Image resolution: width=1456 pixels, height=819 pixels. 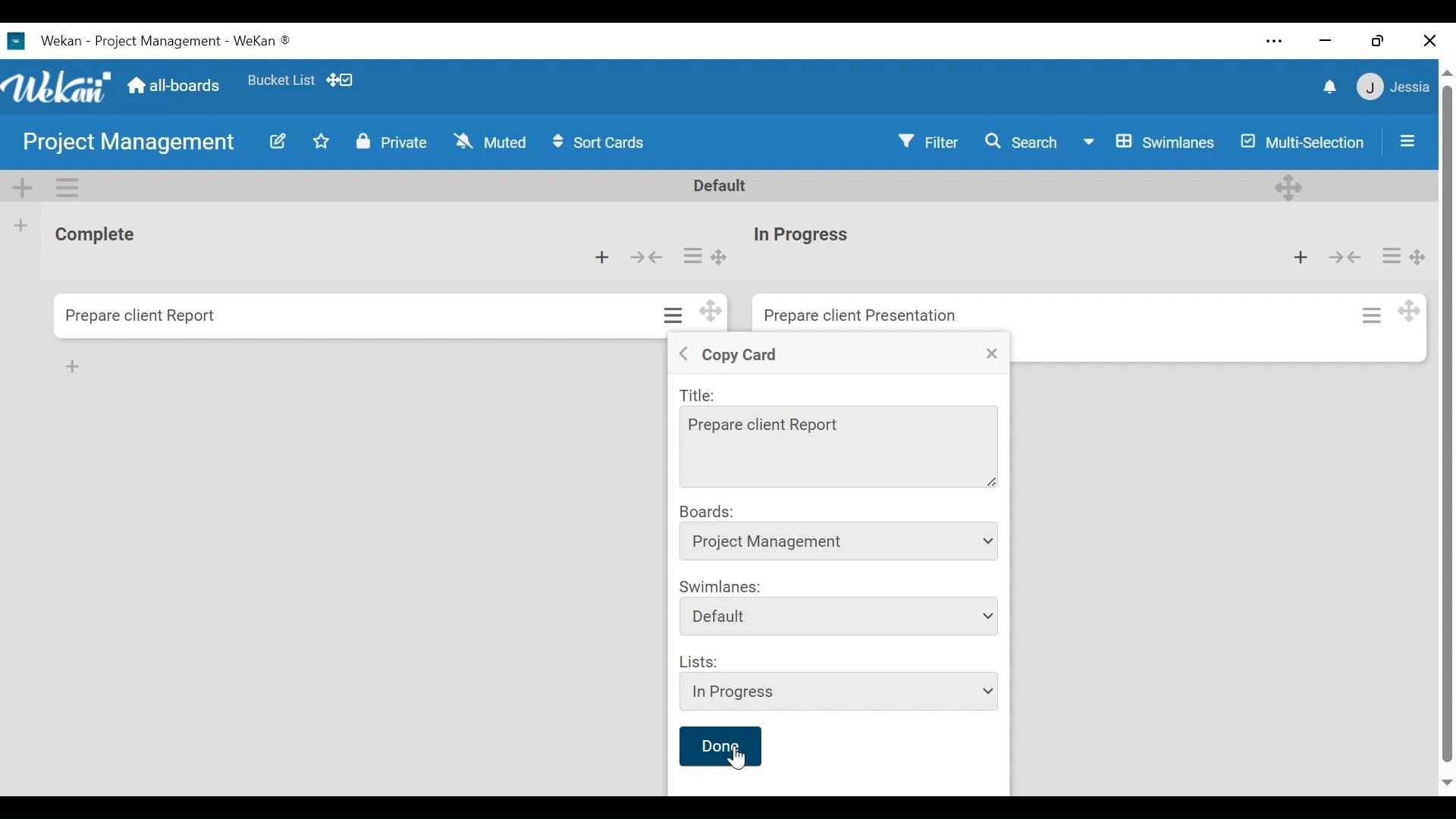 I want to click on Board Title, so click(x=127, y=143).